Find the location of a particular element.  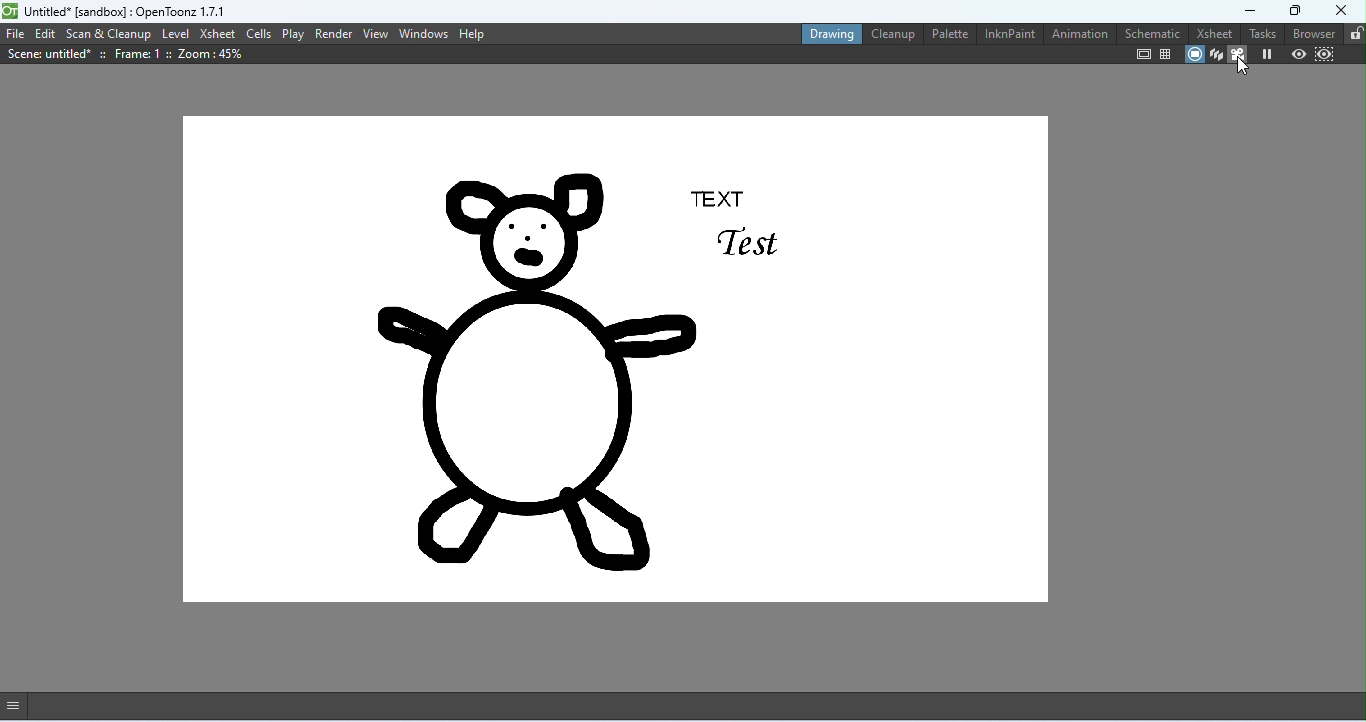

Schematic is located at coordinates (1149, 32).